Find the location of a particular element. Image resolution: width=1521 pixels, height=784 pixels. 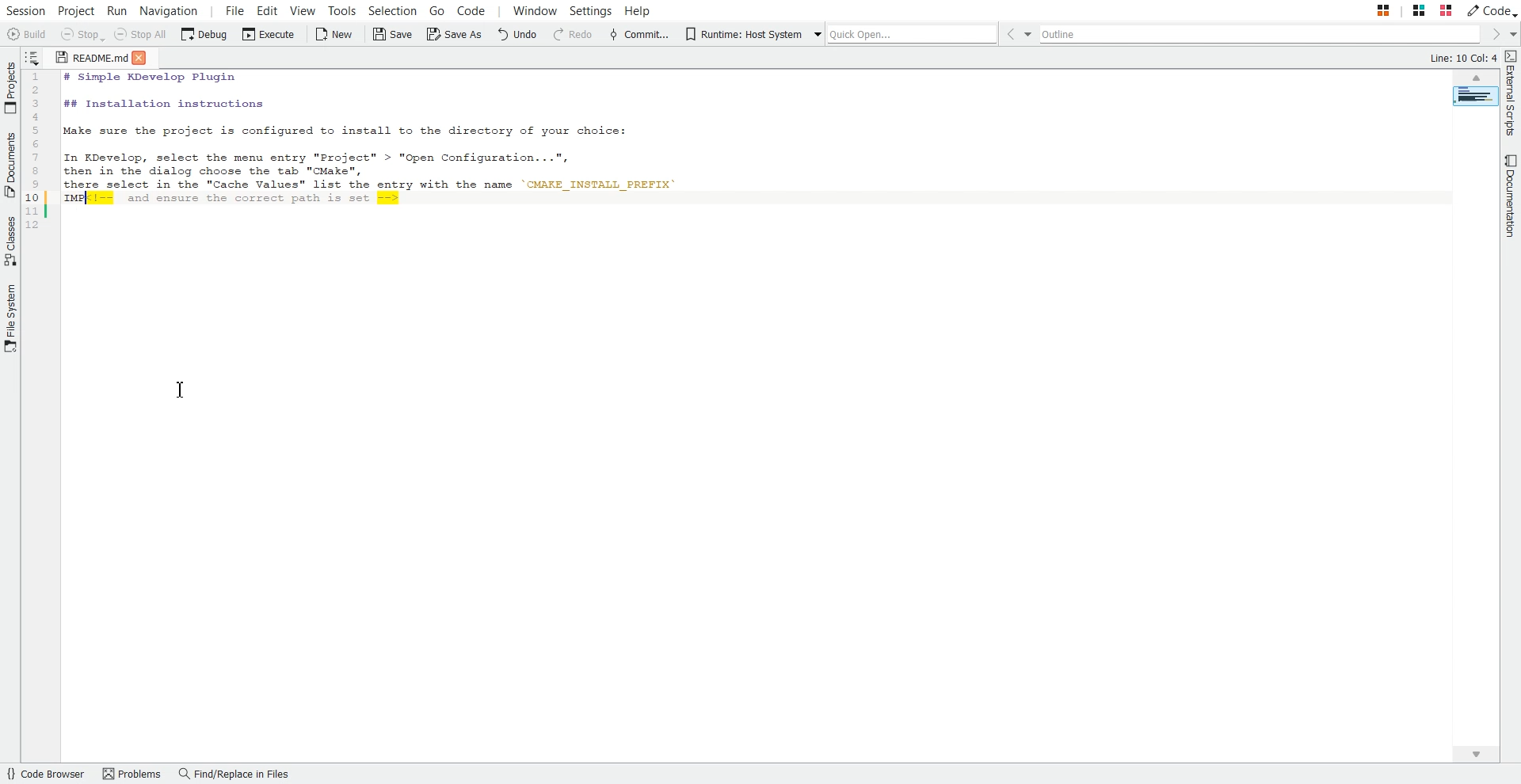

Scroll down is located at coordinates (1474, 754).